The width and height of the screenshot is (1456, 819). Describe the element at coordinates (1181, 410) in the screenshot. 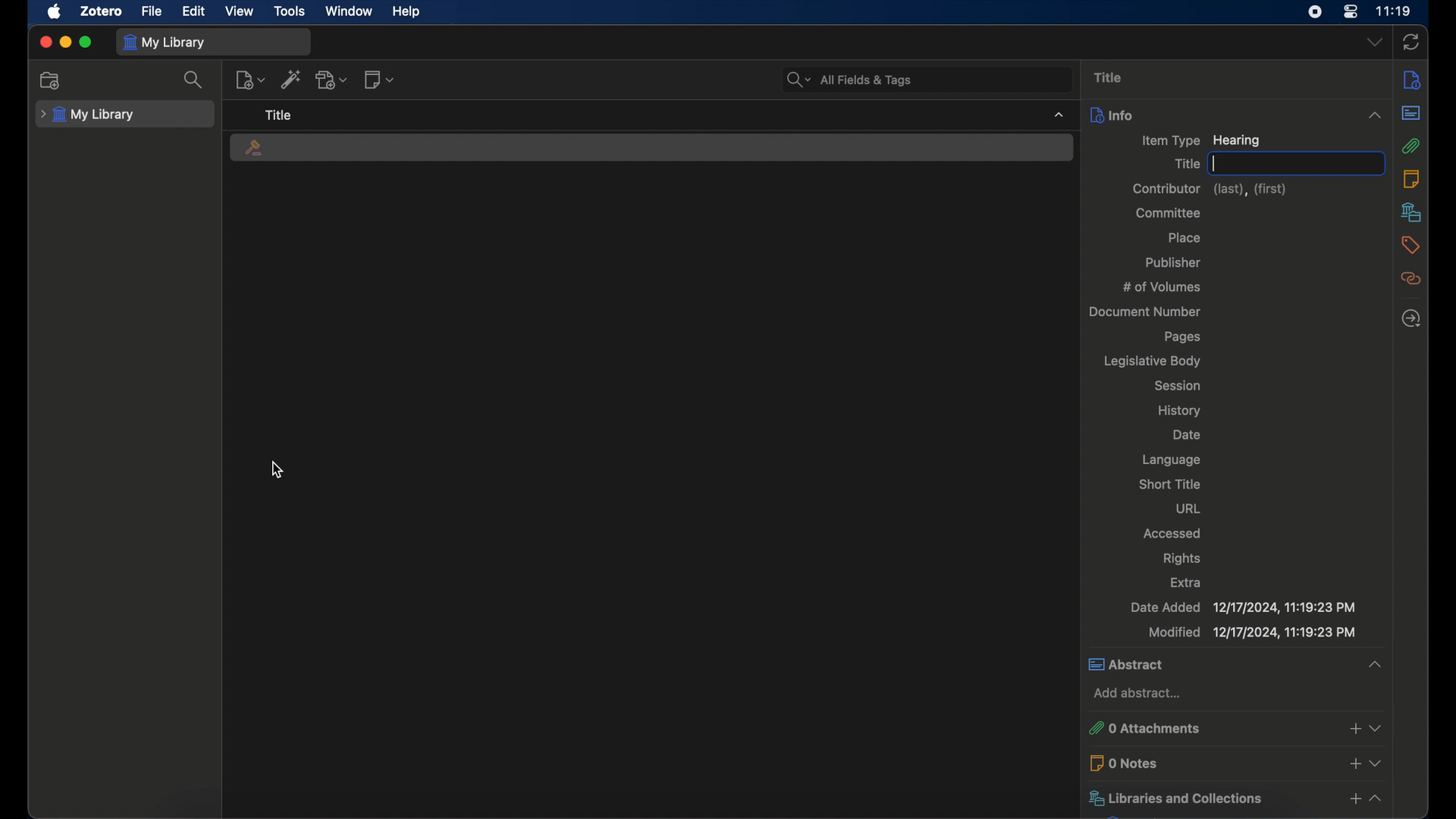

I see `history` at that location.